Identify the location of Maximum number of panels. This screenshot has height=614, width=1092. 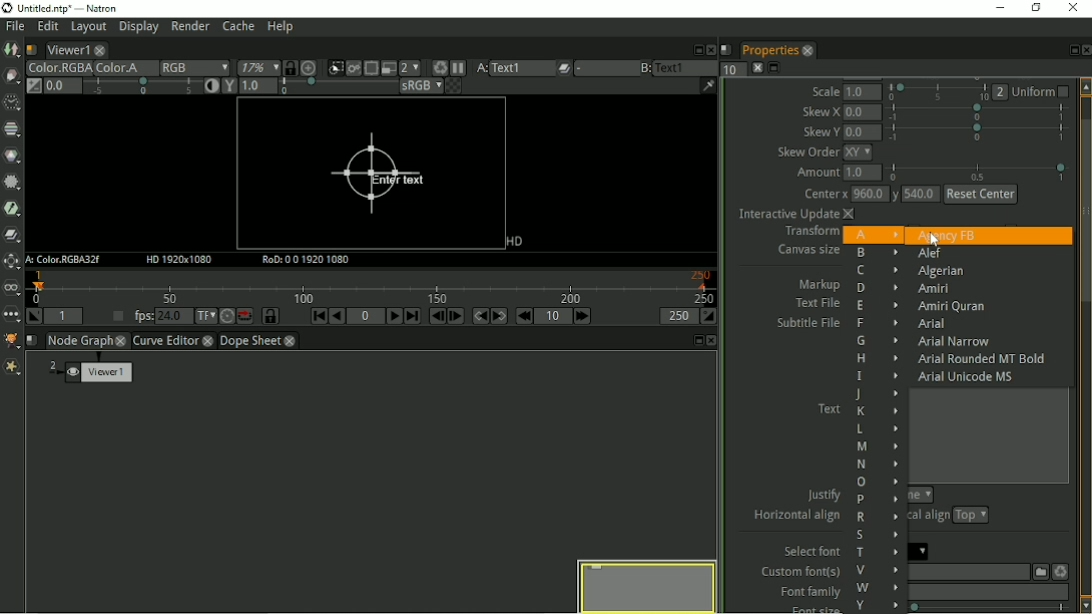
(733, 69).